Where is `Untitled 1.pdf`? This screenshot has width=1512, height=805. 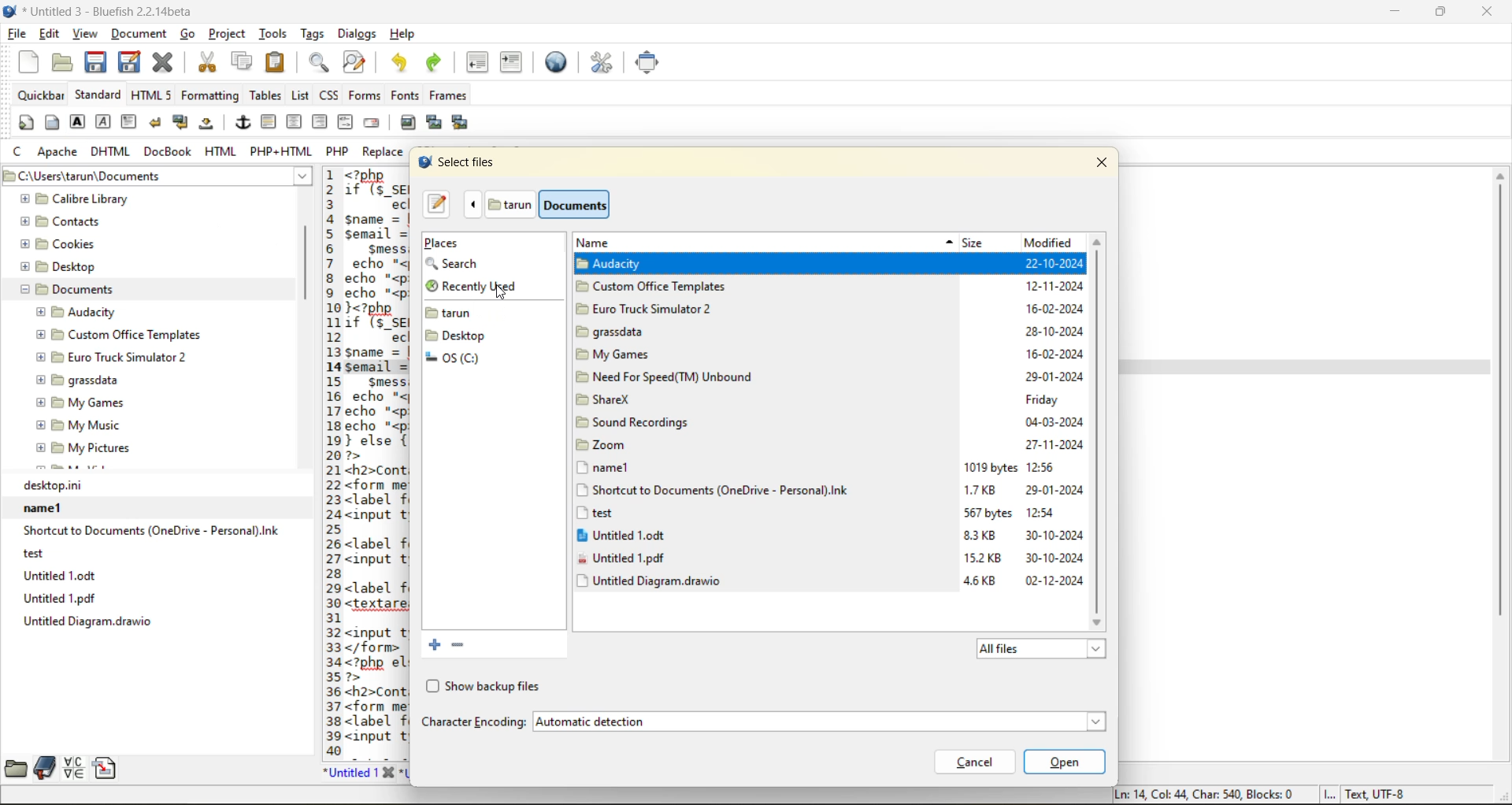 Untitled 1.pdf is located at coordinates (155, 598).